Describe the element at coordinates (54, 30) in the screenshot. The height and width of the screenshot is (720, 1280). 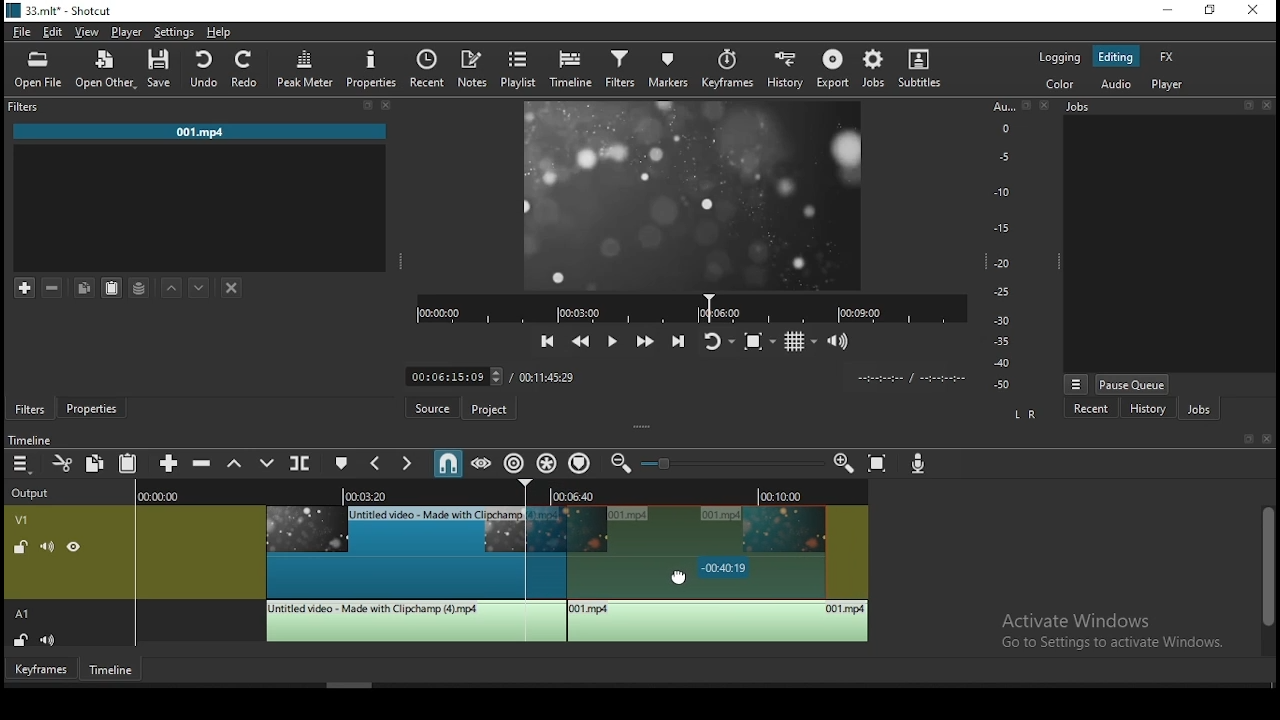
I see `edit` at that location.